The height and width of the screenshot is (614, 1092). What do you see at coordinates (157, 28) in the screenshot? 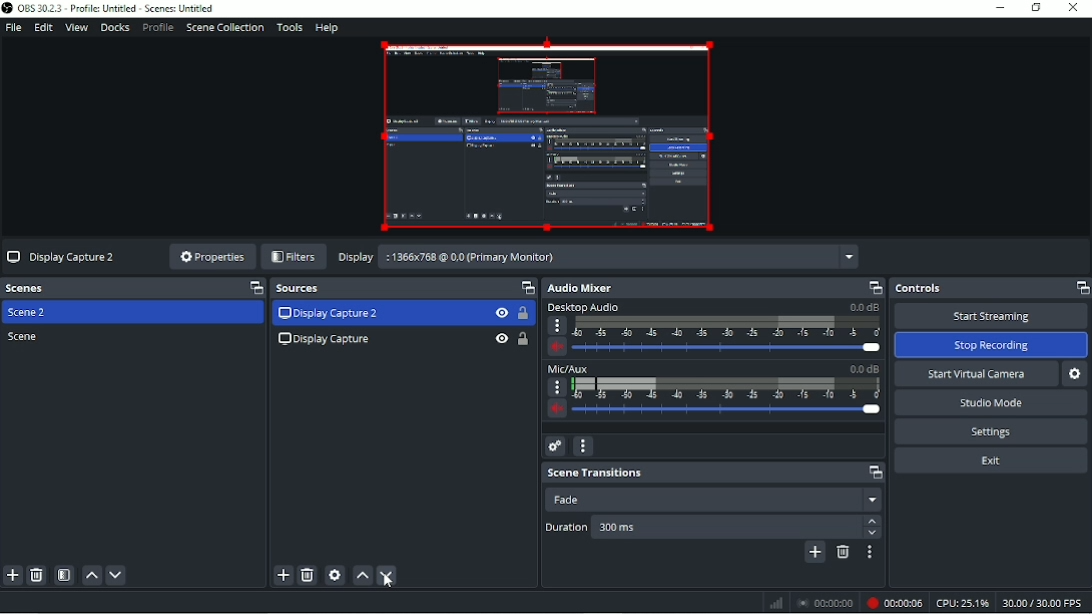
I see `Profile` at bounding box center [157, 28].